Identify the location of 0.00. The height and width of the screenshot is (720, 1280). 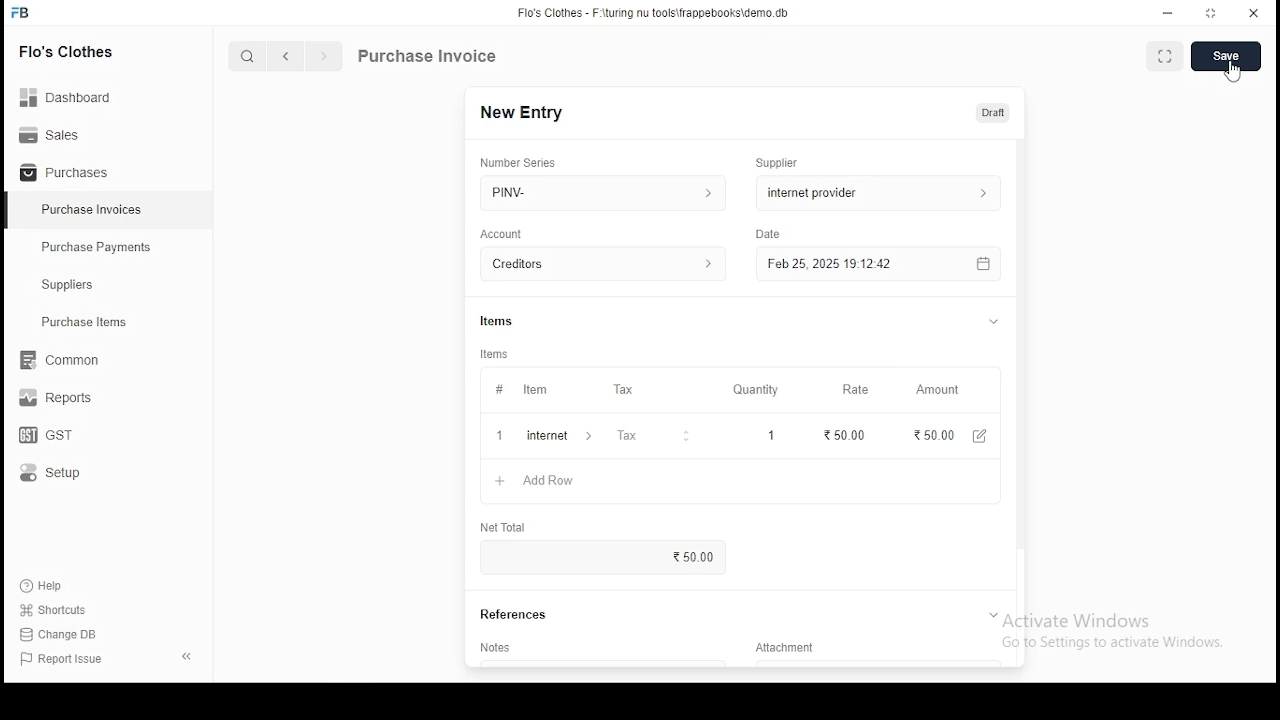
(923, 435).